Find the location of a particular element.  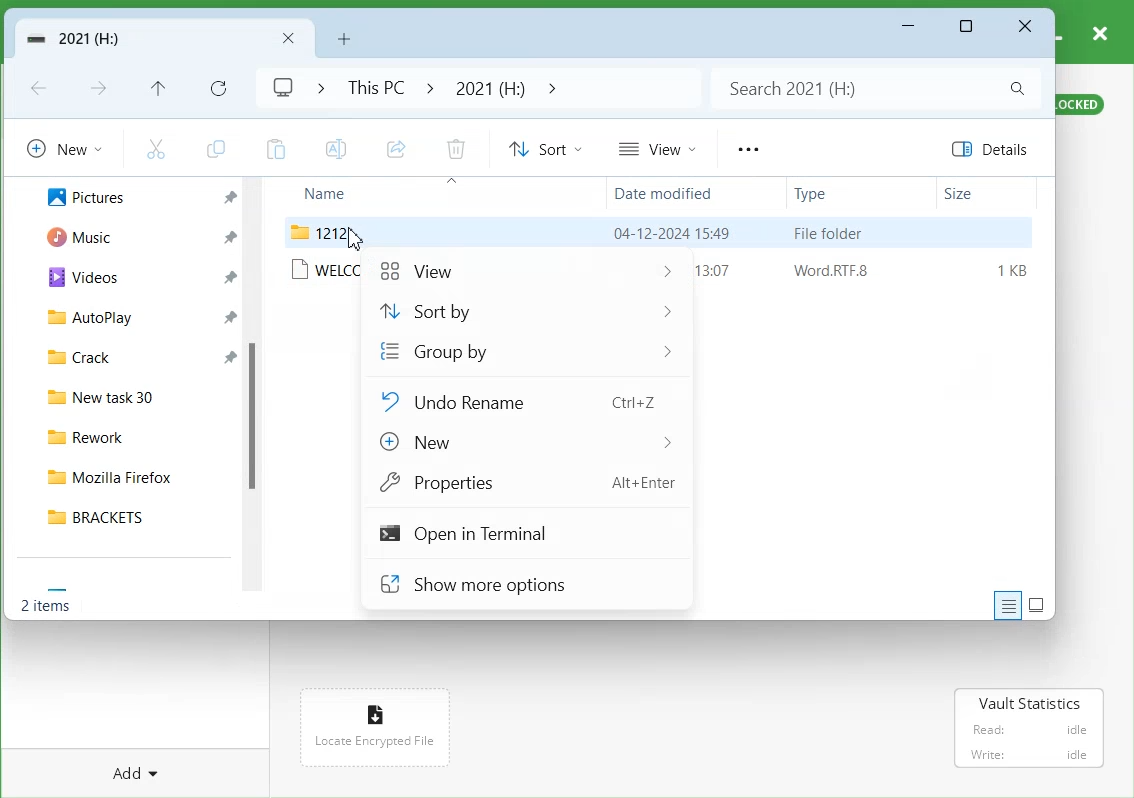

Pictures is located at coordinates (81, 197).